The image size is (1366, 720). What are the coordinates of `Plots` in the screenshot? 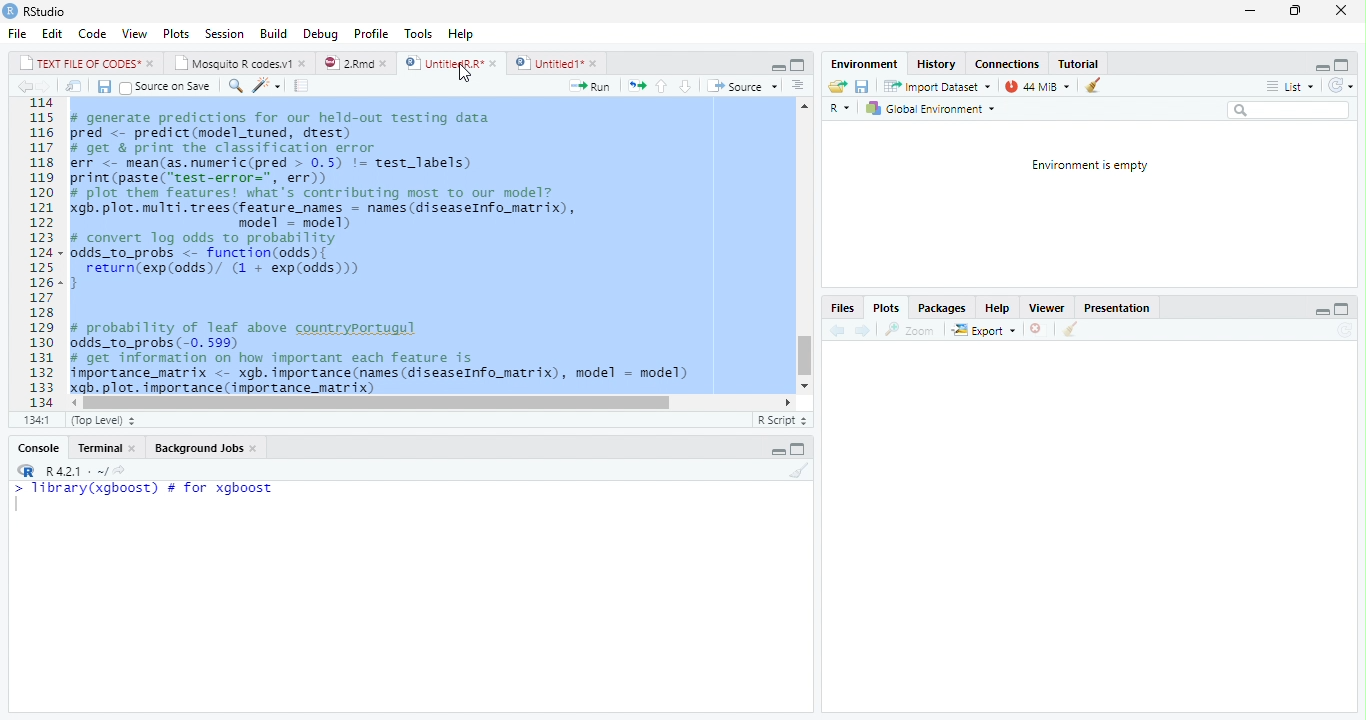 It's located at (174, 33).